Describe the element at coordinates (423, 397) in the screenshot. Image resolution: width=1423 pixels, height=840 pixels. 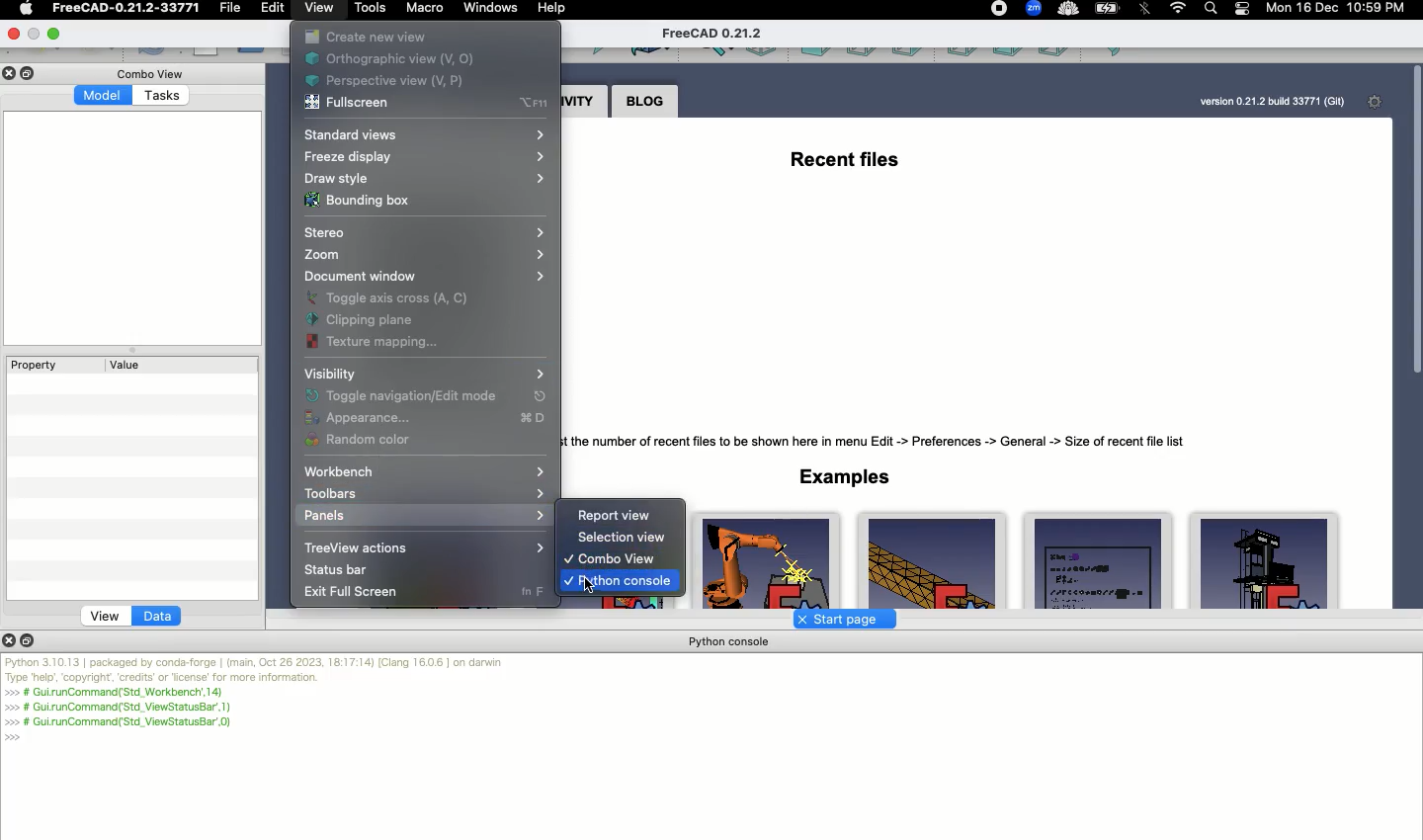
I see `Toggle navigation mode` at that location.